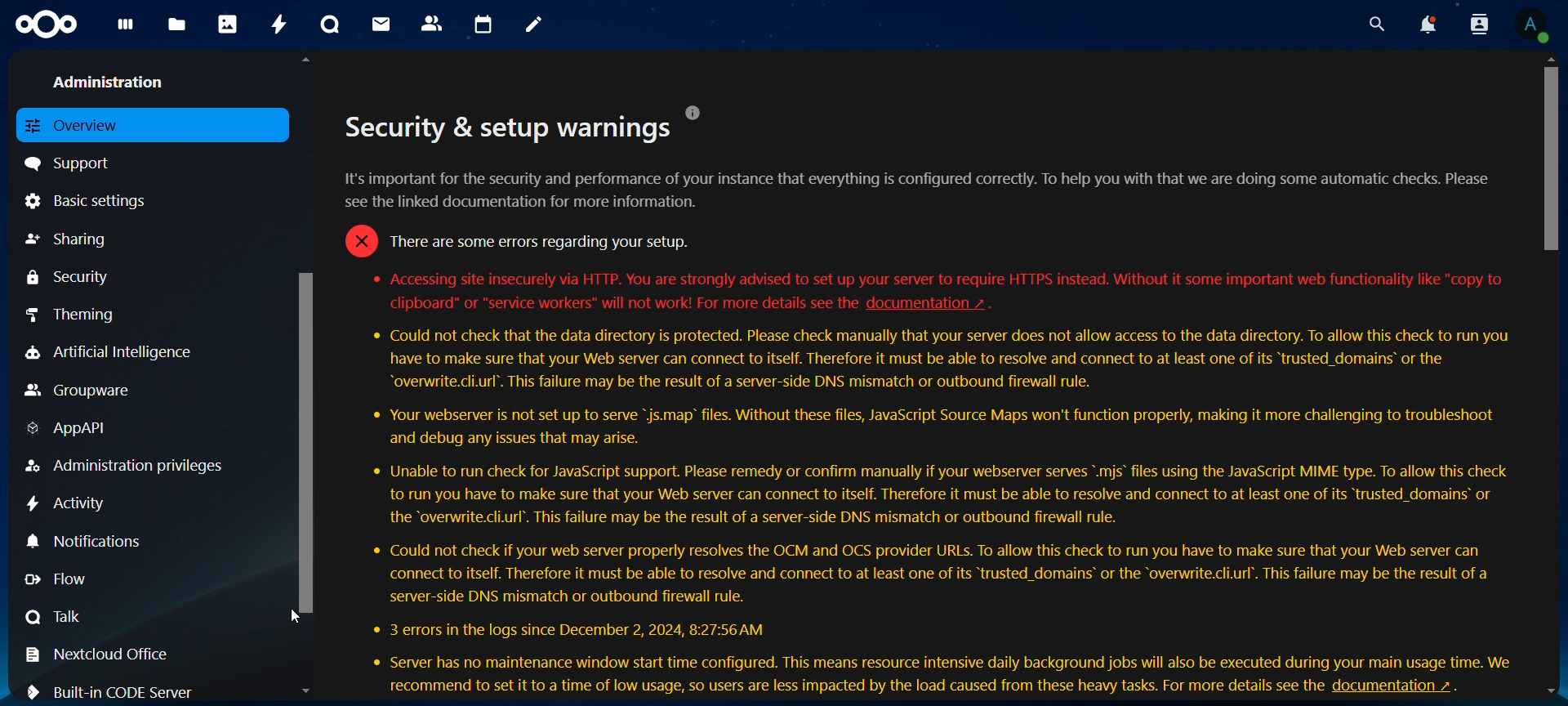  I want to click on security, so click(70, 277).